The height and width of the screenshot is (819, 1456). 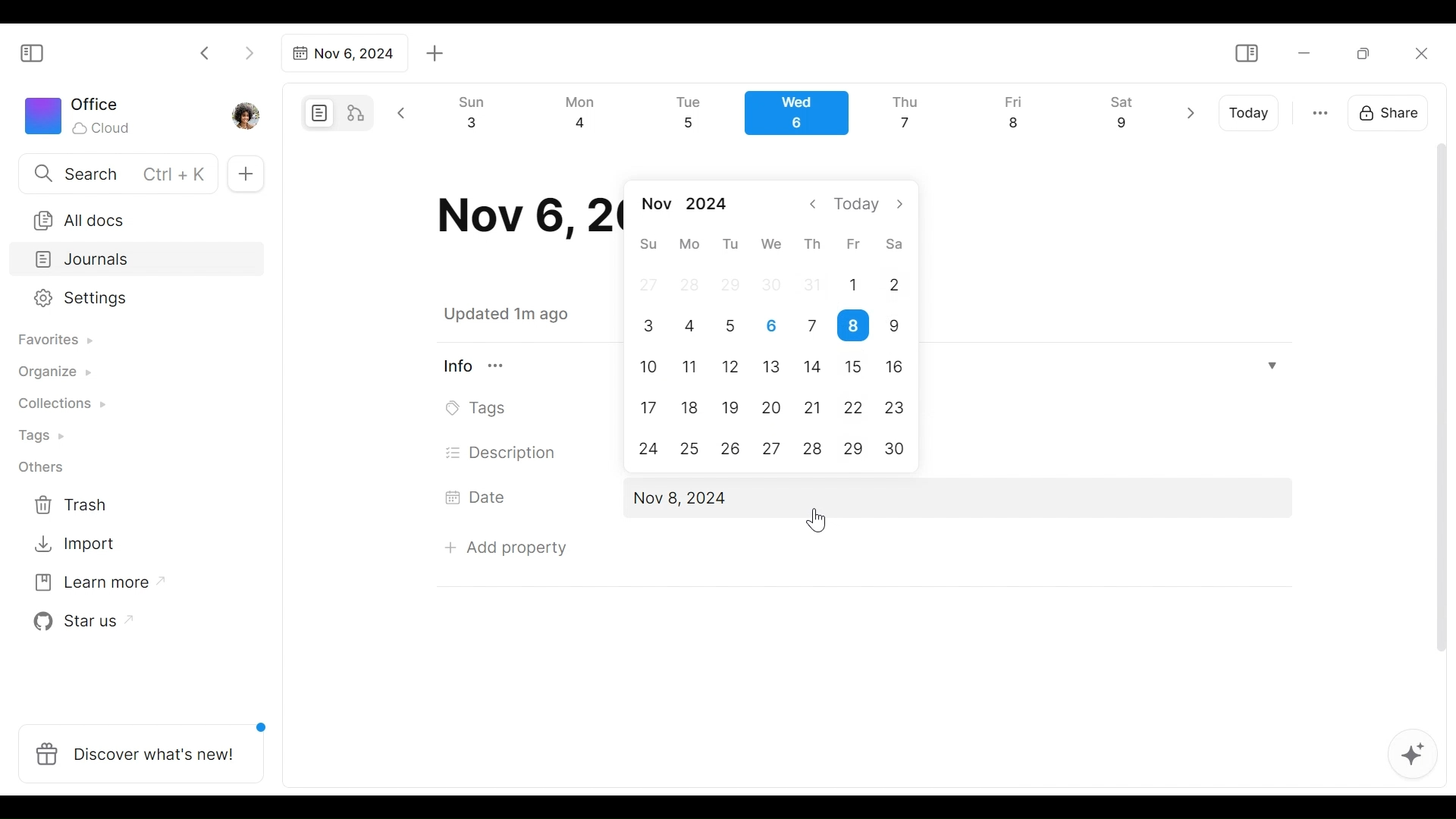 I want to click on Add new tab, so click(x=435, y=54).